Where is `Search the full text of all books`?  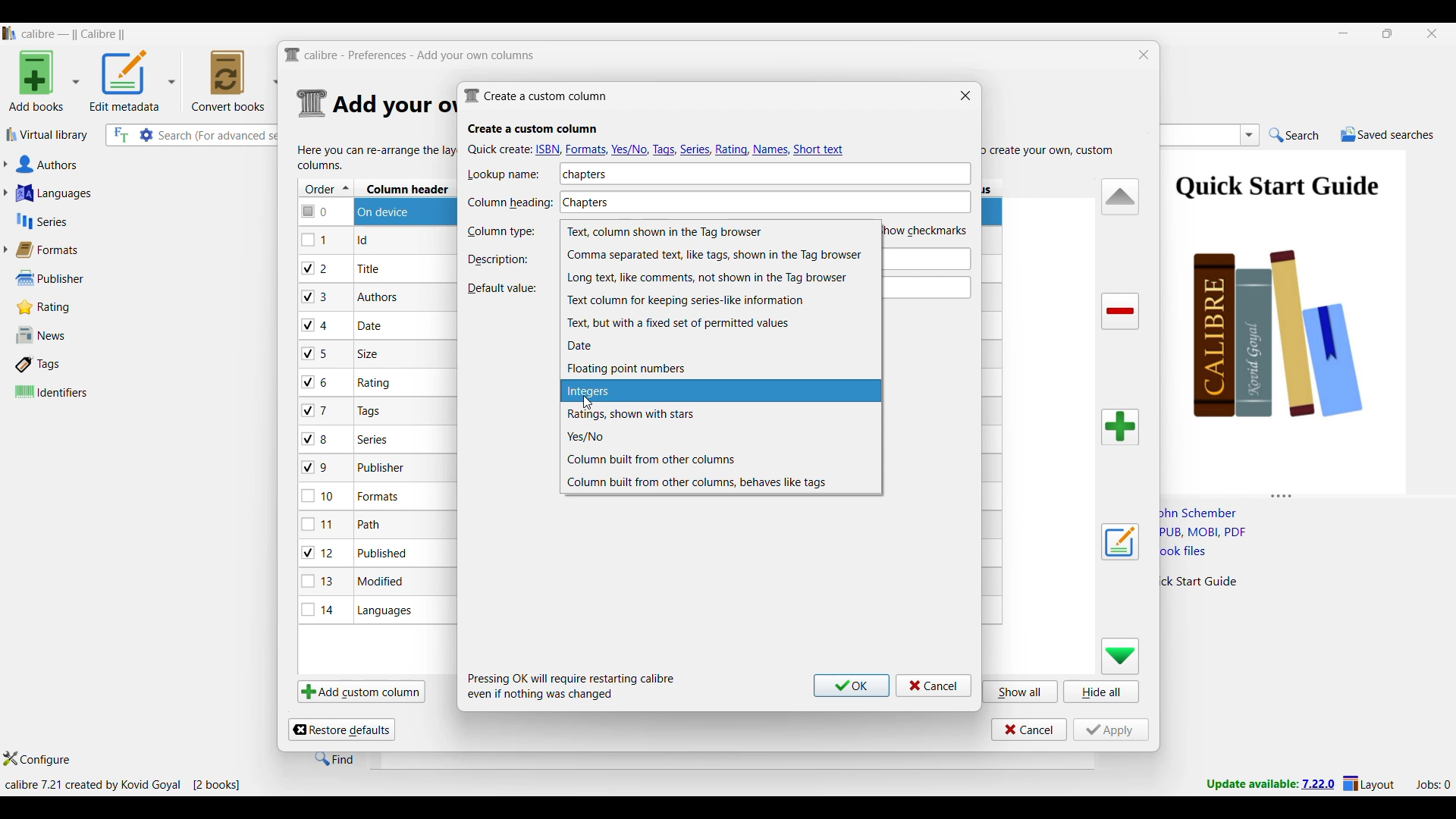 Search the full text of all books is located at coordinates (120, 135).